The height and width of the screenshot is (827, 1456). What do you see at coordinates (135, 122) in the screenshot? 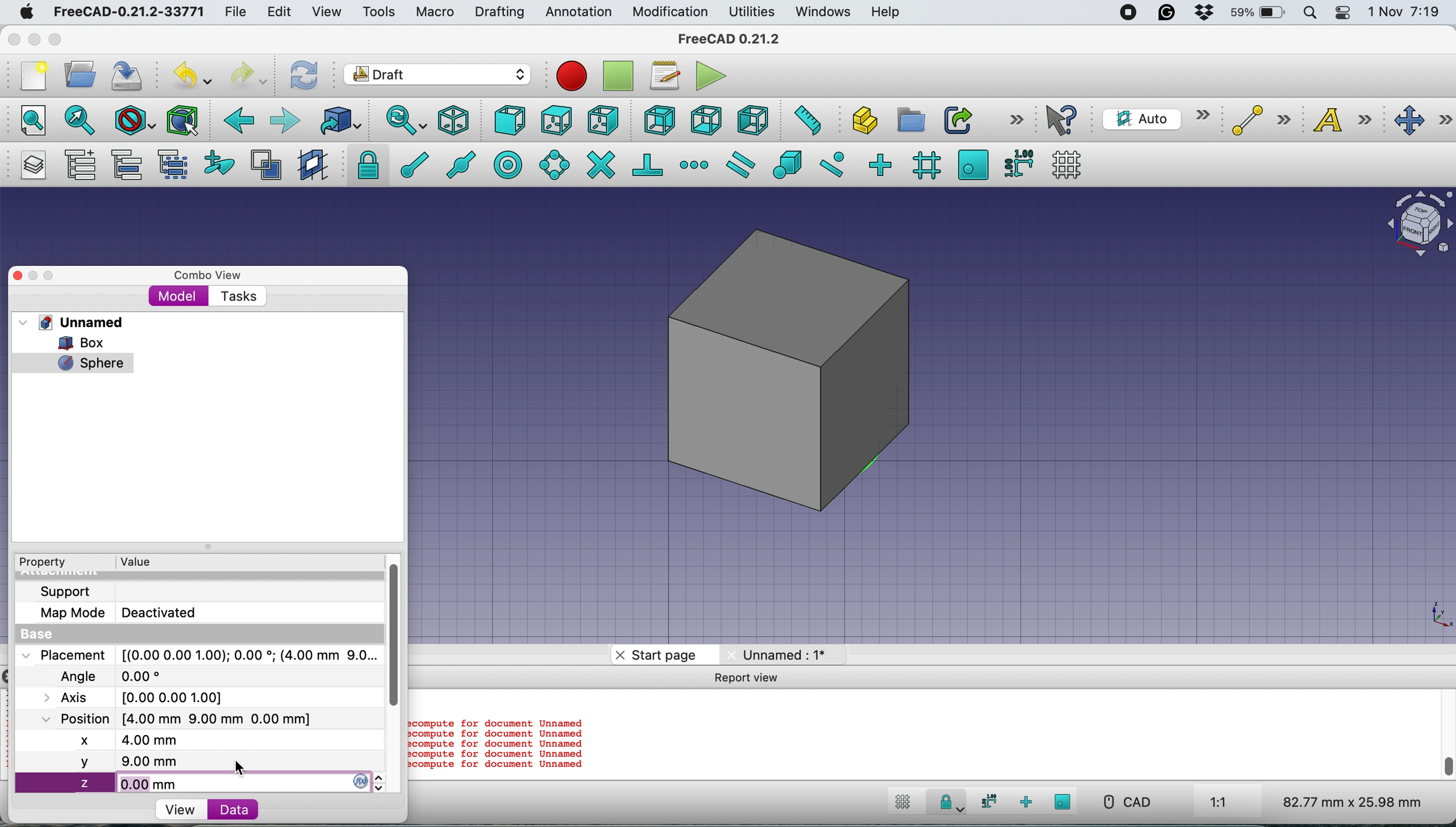
I see `draw style` at bounding box center [135, 122].